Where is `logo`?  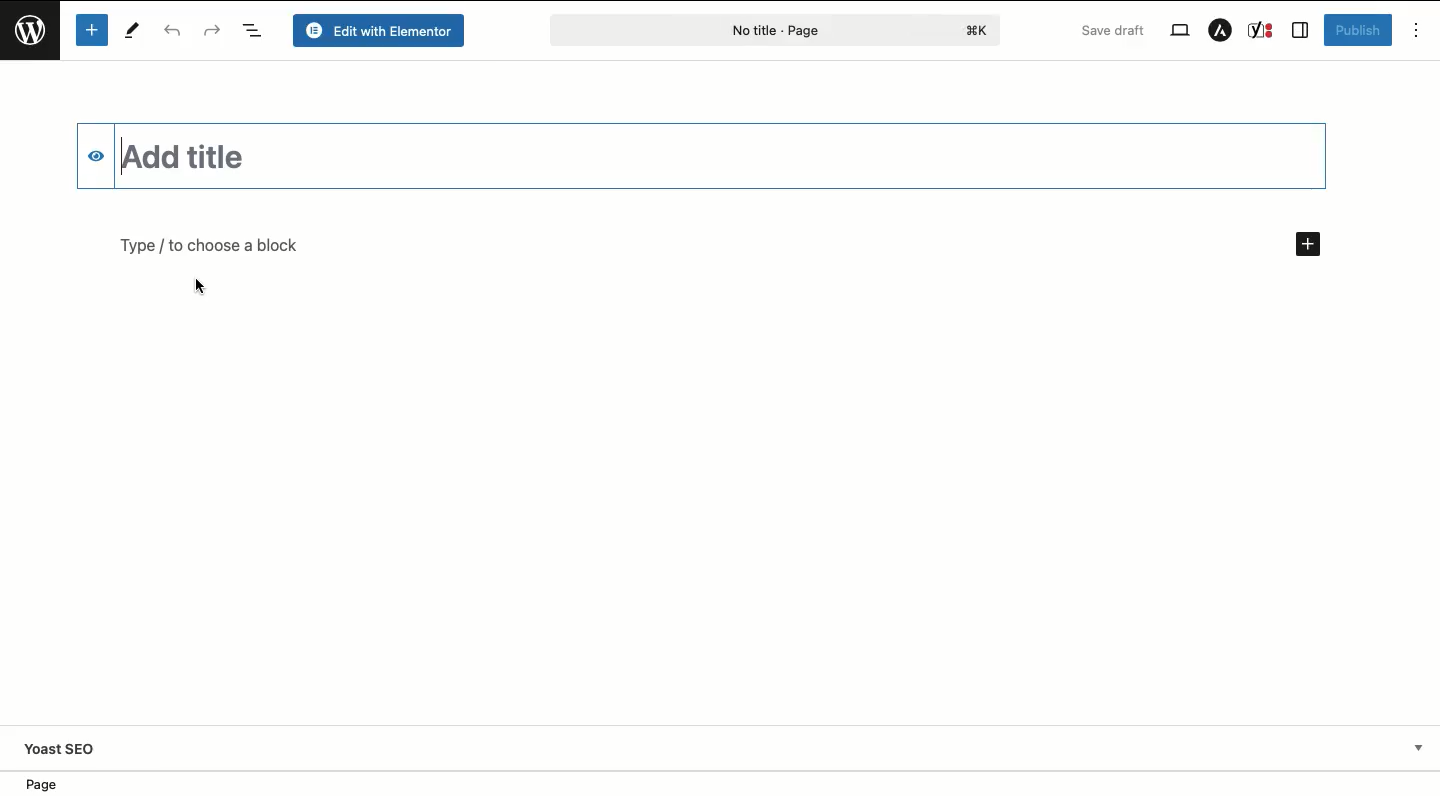
logo is located at coordinates (981, 30).